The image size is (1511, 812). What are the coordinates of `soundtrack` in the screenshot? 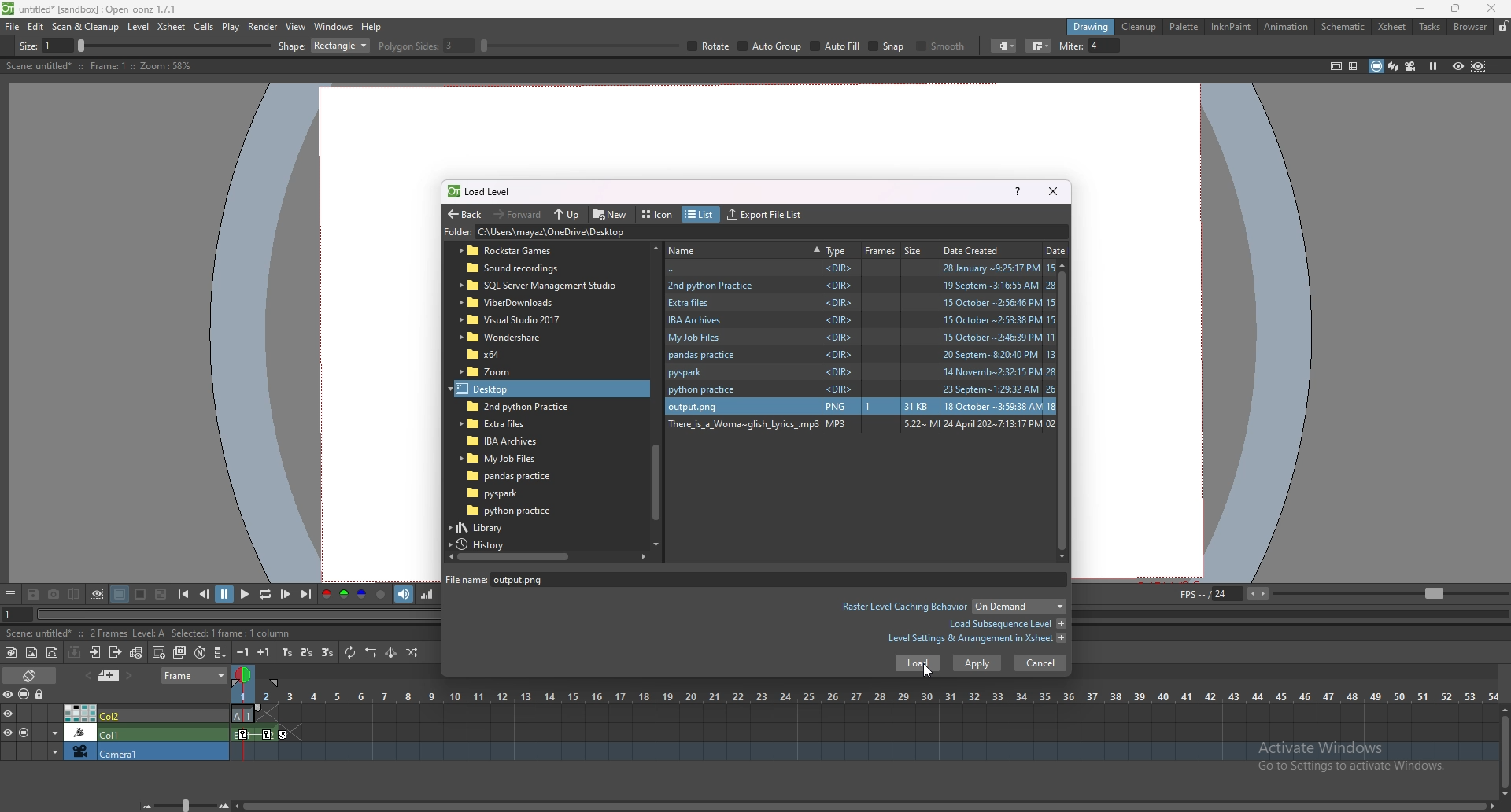 It's located at (405, 593).